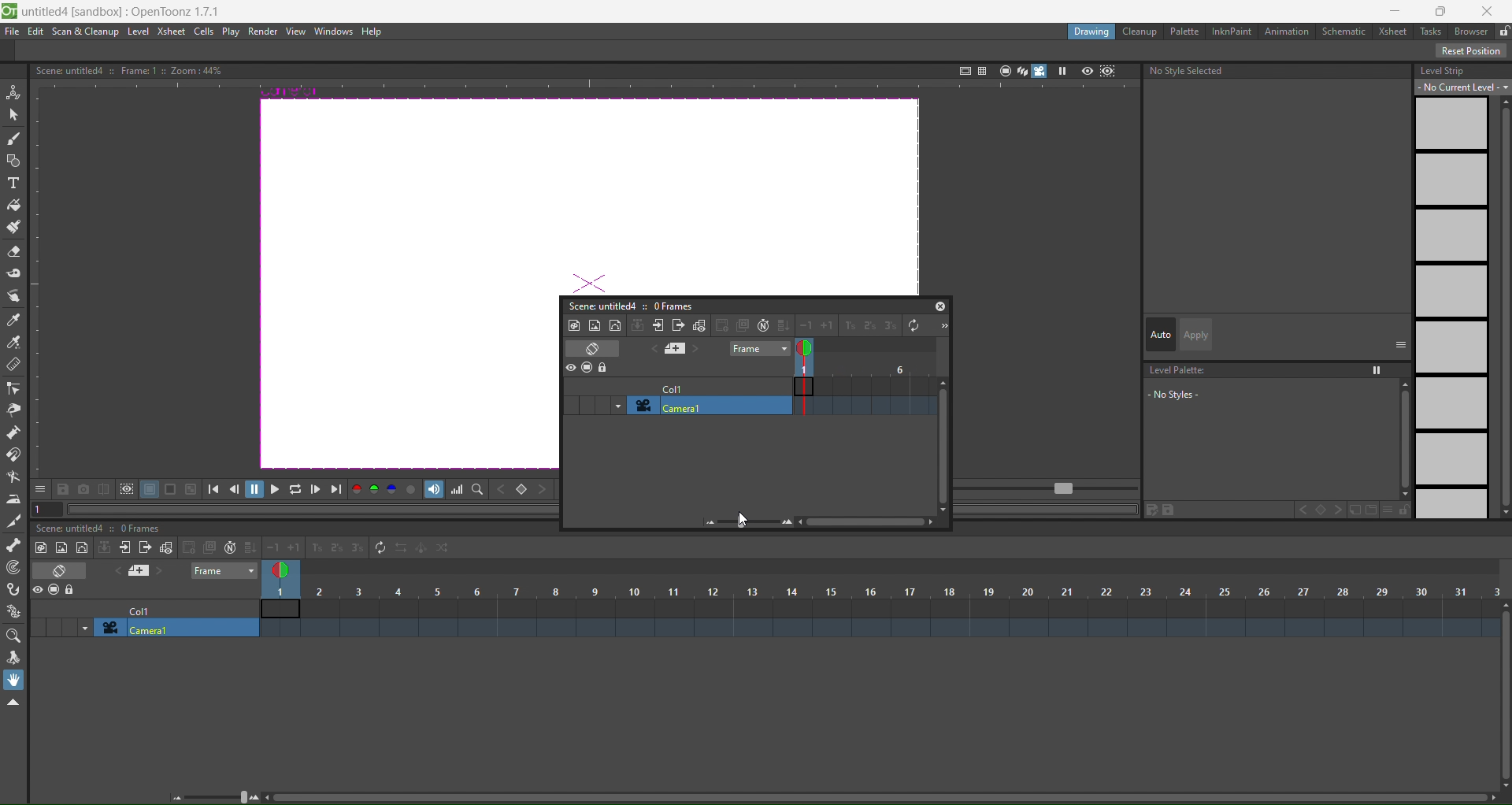  Describe the element at coordinates (117, 490) in the screenshot. I see `icon` at that location.